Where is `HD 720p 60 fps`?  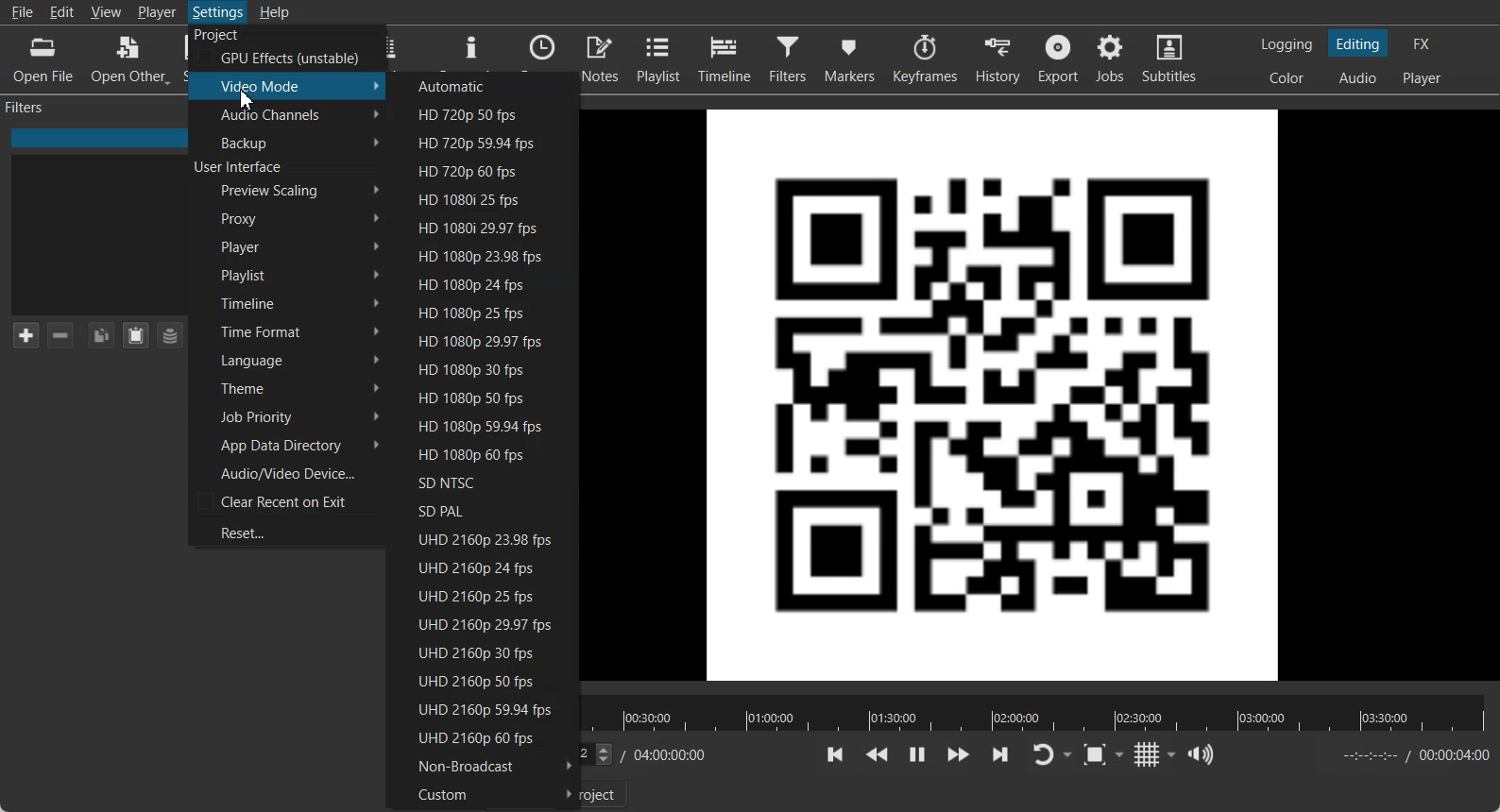 HD 720p 60 fps is located at coordinates (481, 171).